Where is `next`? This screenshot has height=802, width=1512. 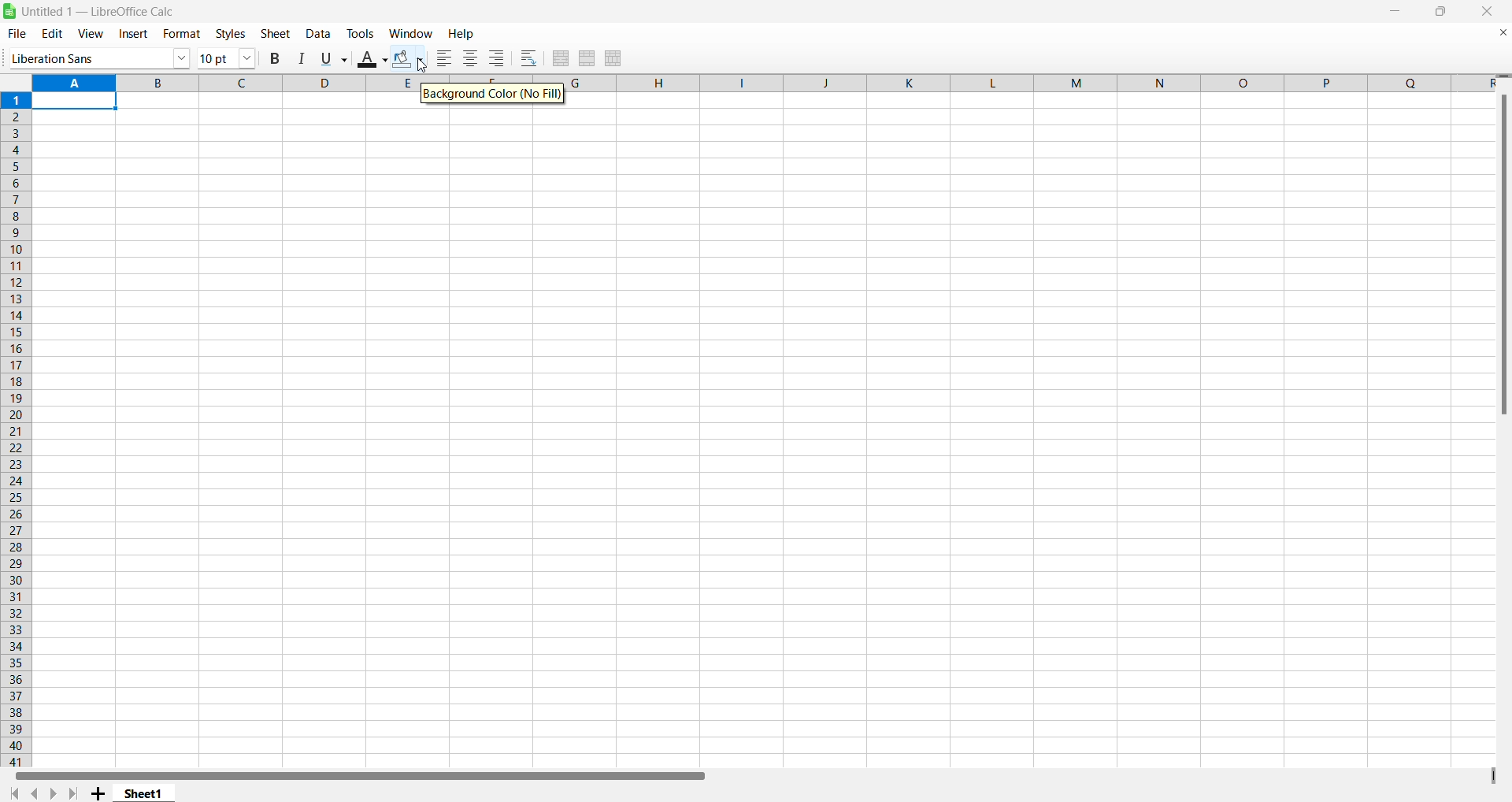 next is located at coordinates (57, 793).